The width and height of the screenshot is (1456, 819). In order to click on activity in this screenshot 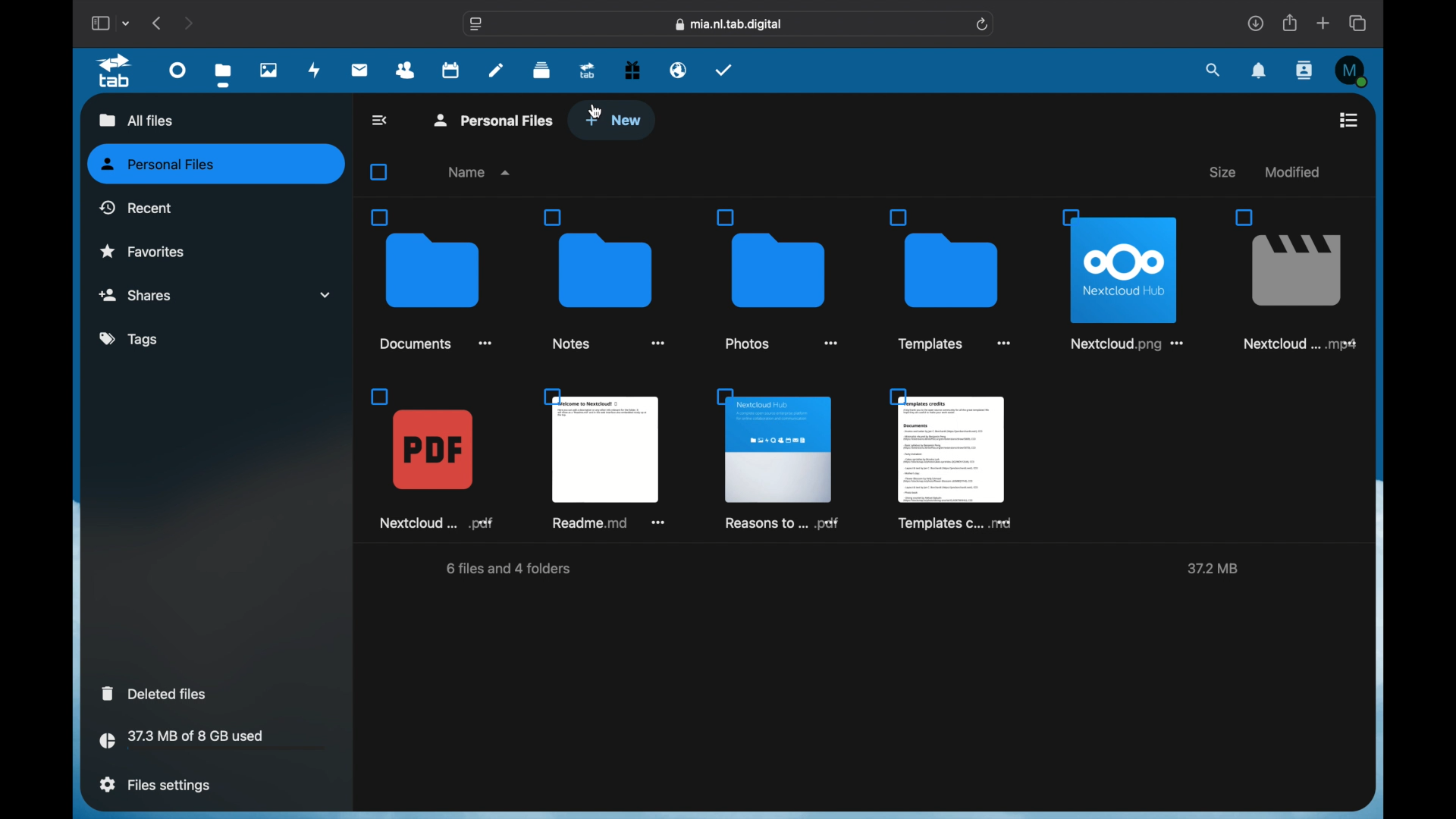, I will do `click(315, 71)`.